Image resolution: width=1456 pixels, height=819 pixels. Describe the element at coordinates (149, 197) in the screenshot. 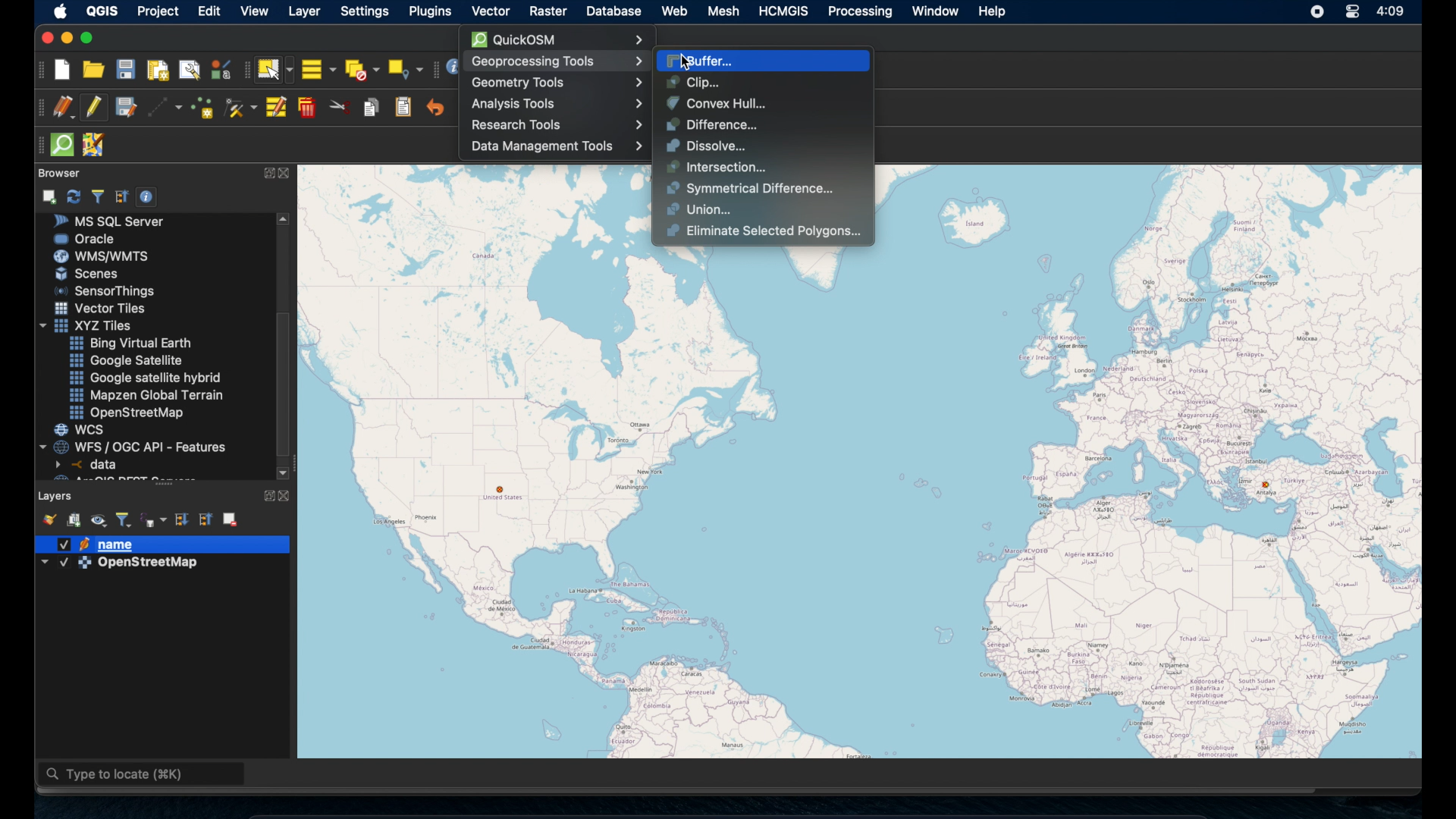

I see `enable/disable properties widget` at that location.